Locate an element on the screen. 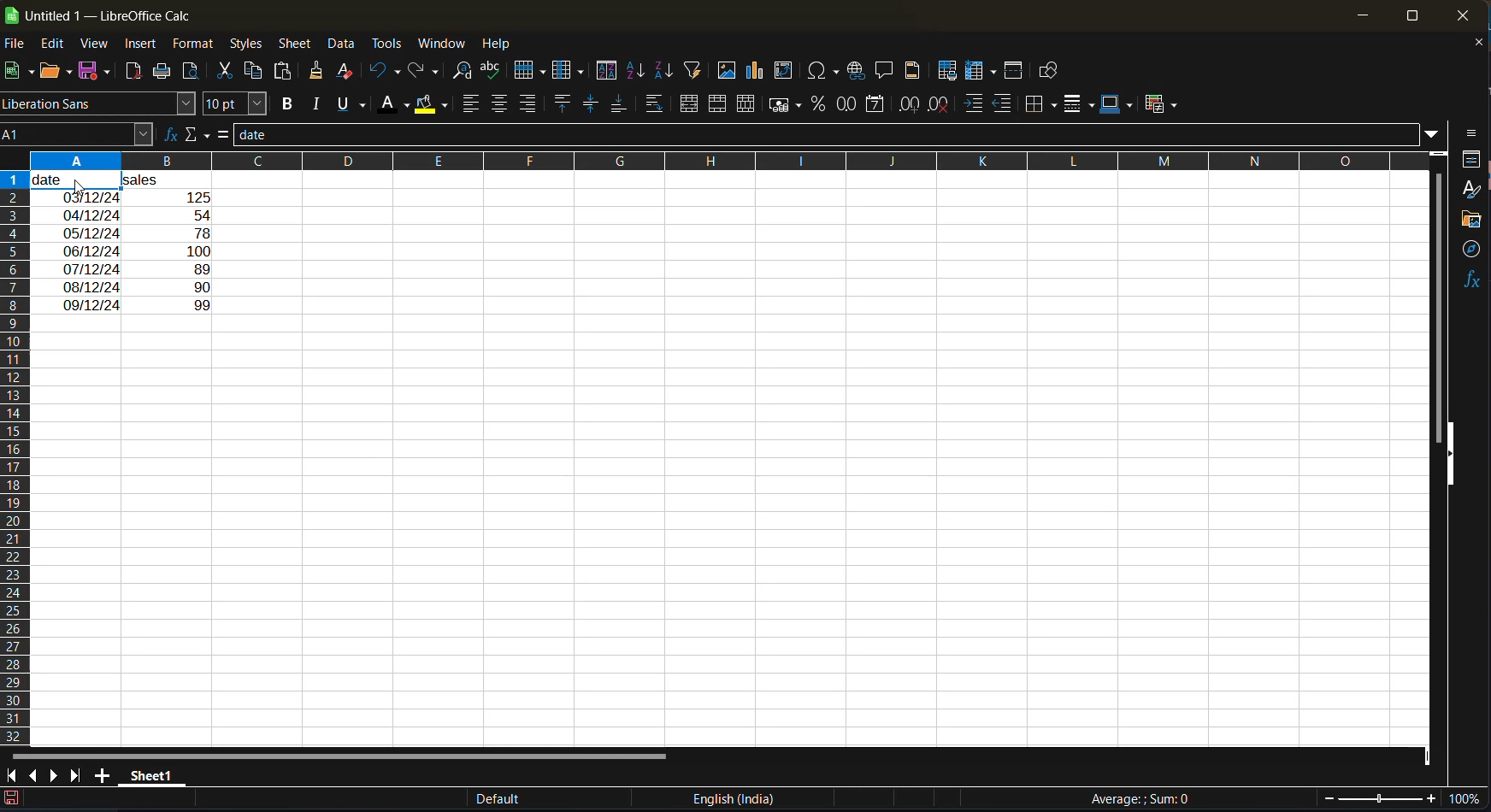  zoom slider is located at coordinates (1377, 799).